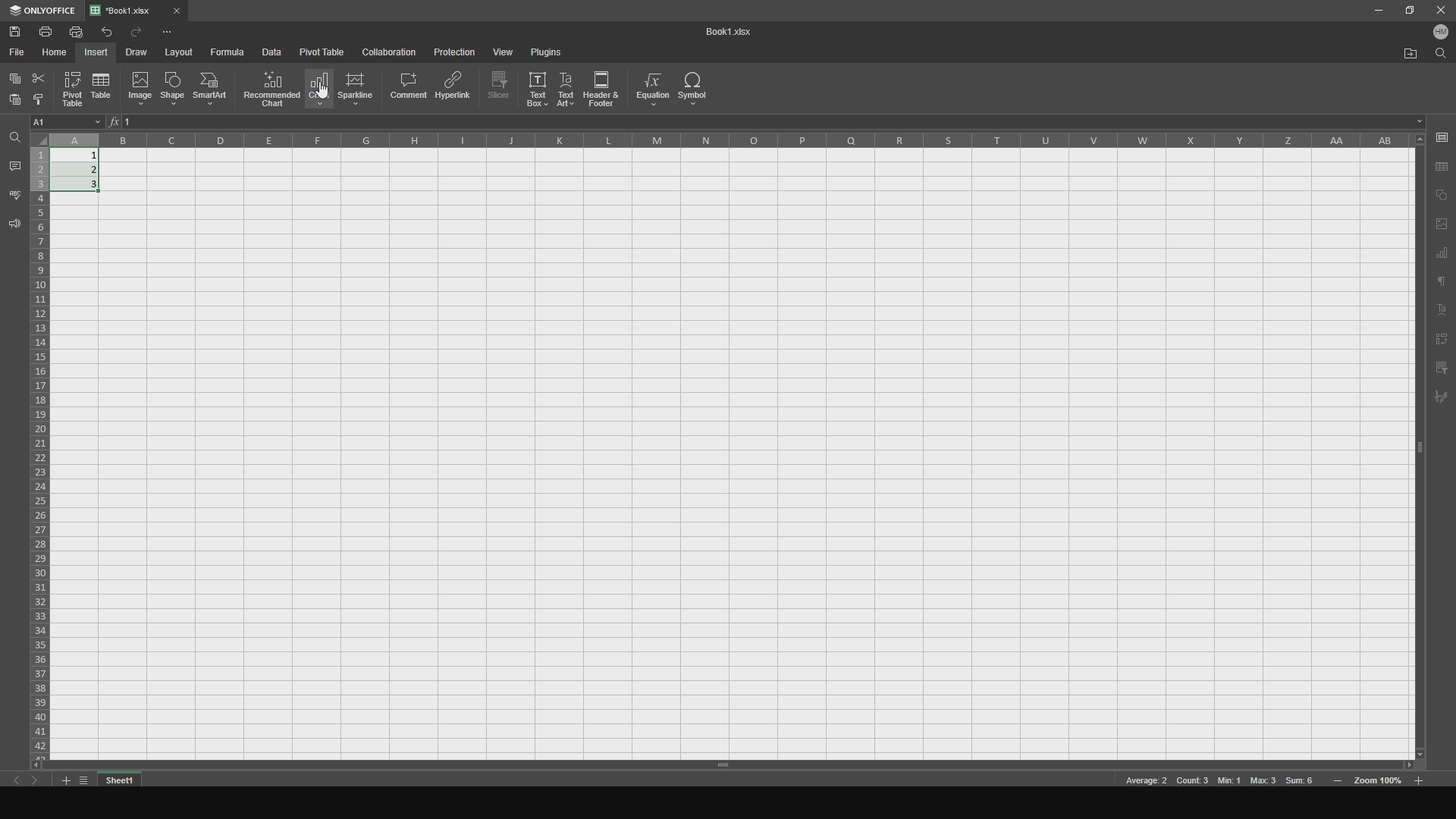 This screenshot has width=1456, height=819. Describe the element at coordinates (68, 121) in the screenshot. I see `cell` at that location.